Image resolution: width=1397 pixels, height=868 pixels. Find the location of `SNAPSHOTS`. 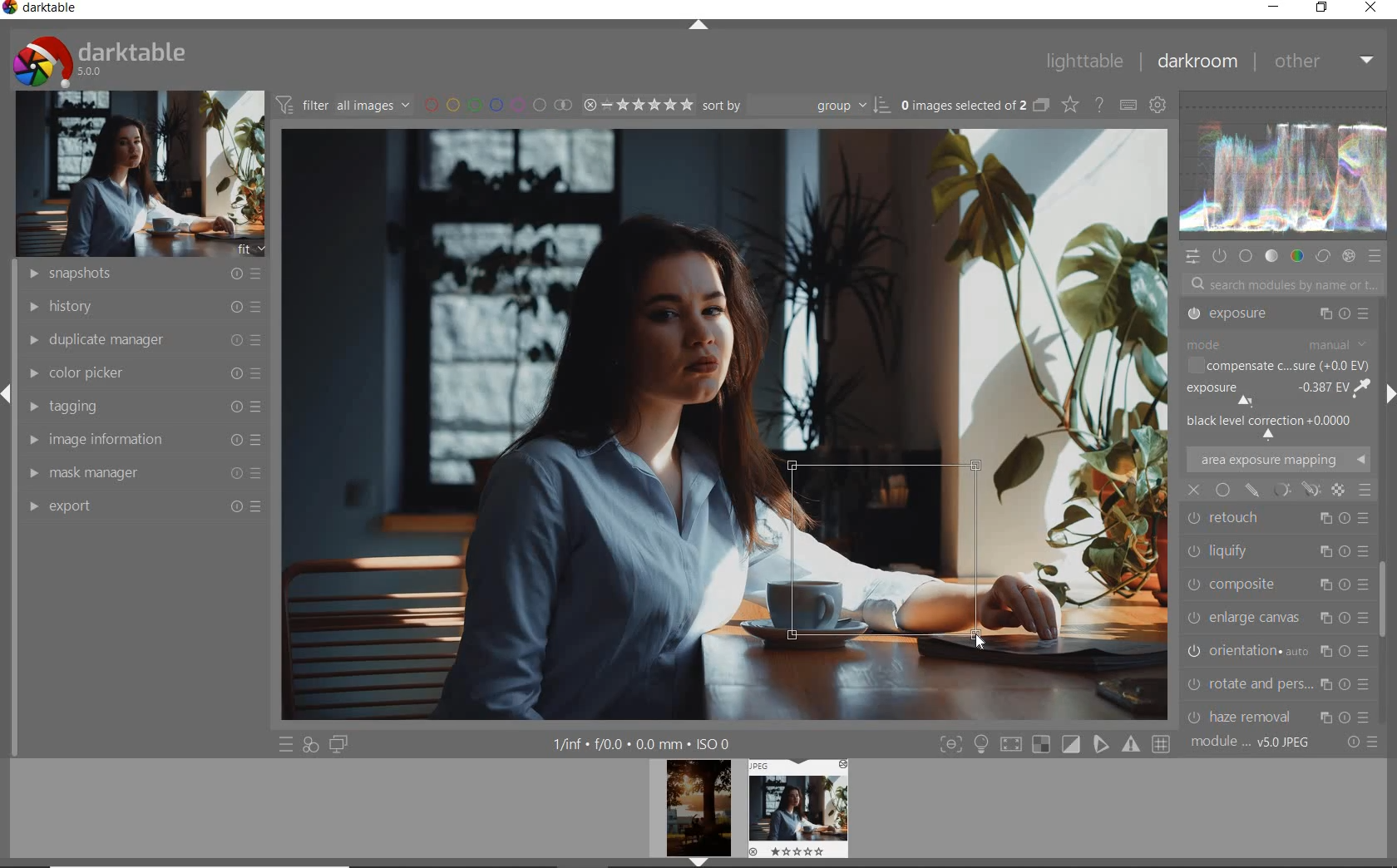

SNAPSHOTS is located at coordinates (146, 273).